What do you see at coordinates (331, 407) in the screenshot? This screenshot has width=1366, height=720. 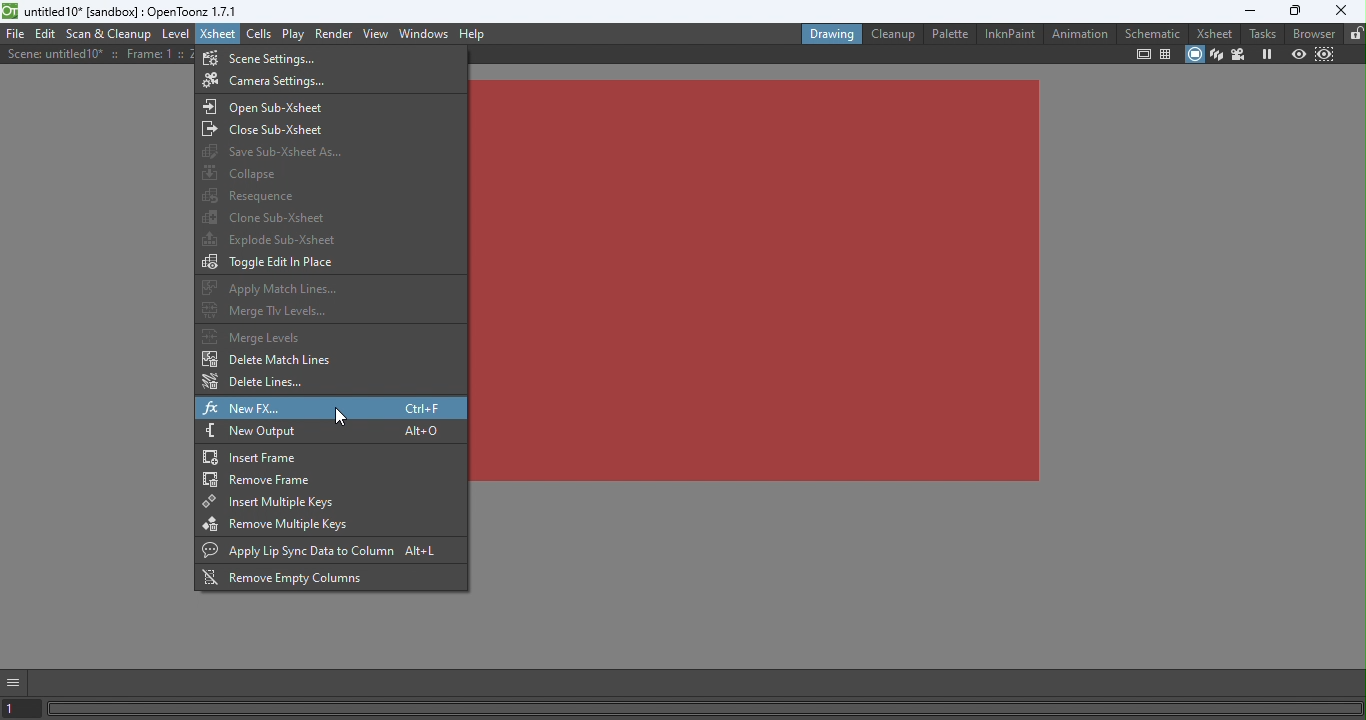 I see `New fx` at bounding box center [331, 407].